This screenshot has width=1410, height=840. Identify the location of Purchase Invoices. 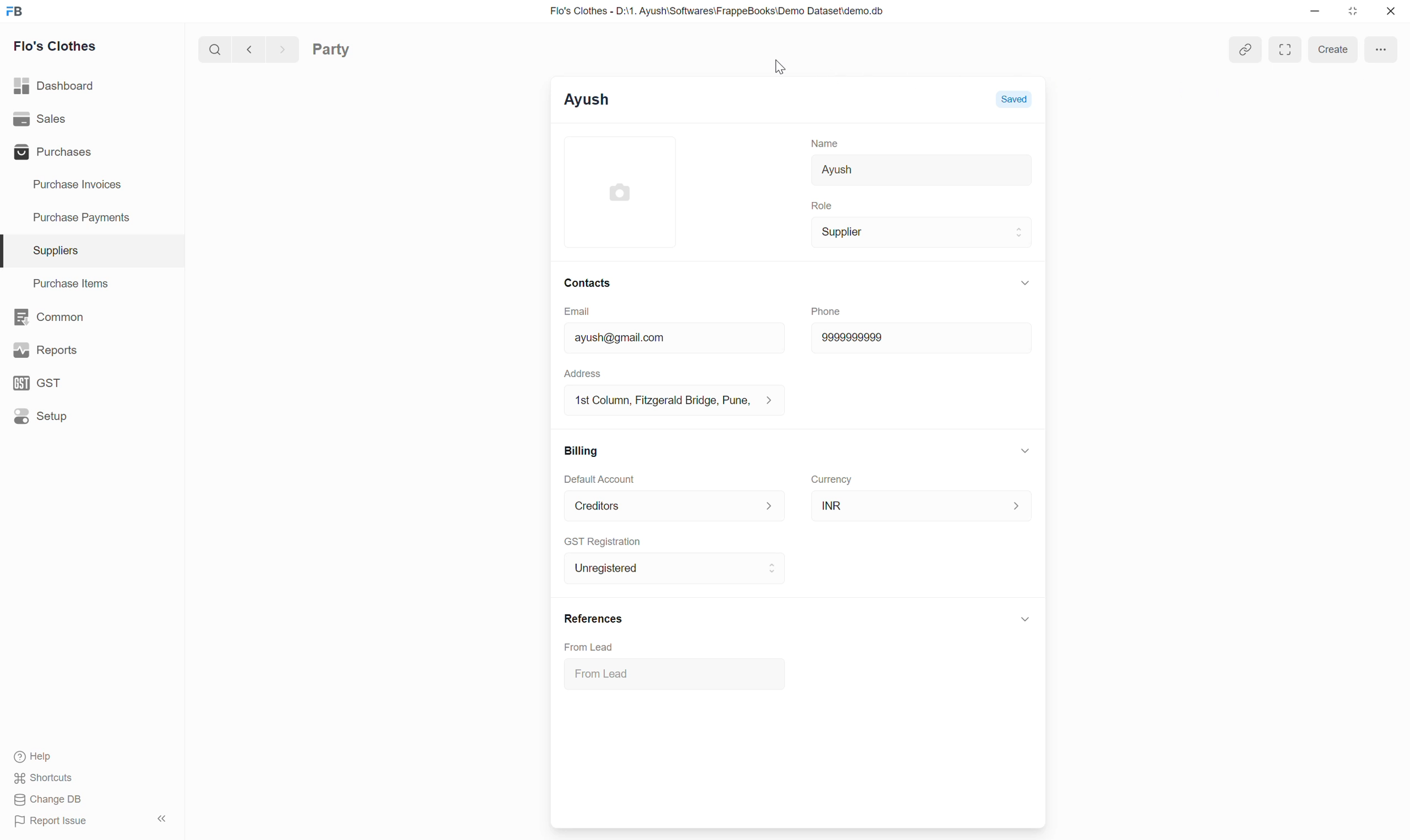
(91, 185).